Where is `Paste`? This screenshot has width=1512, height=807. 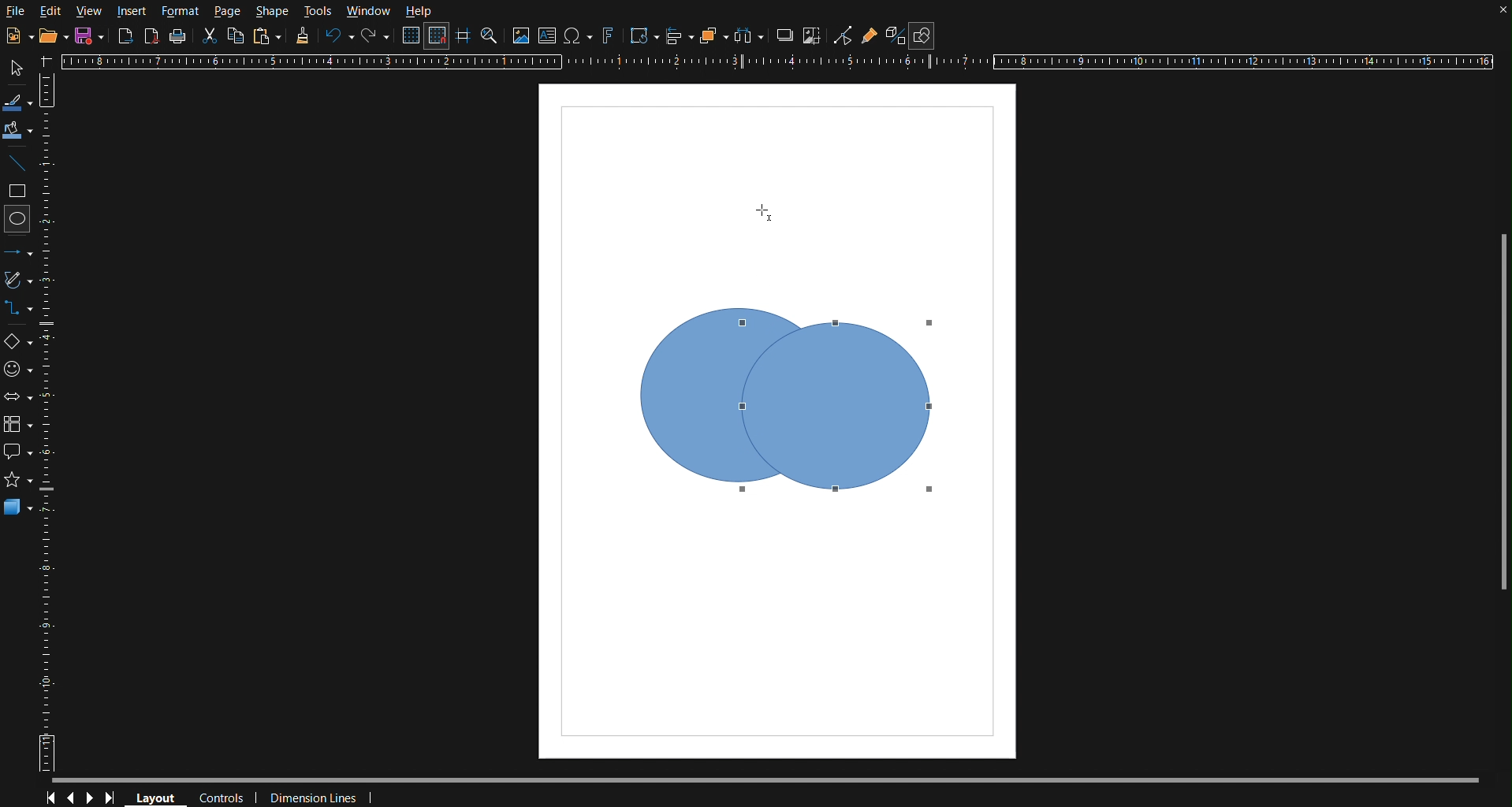
Paste is located at coordinates (267, 36).